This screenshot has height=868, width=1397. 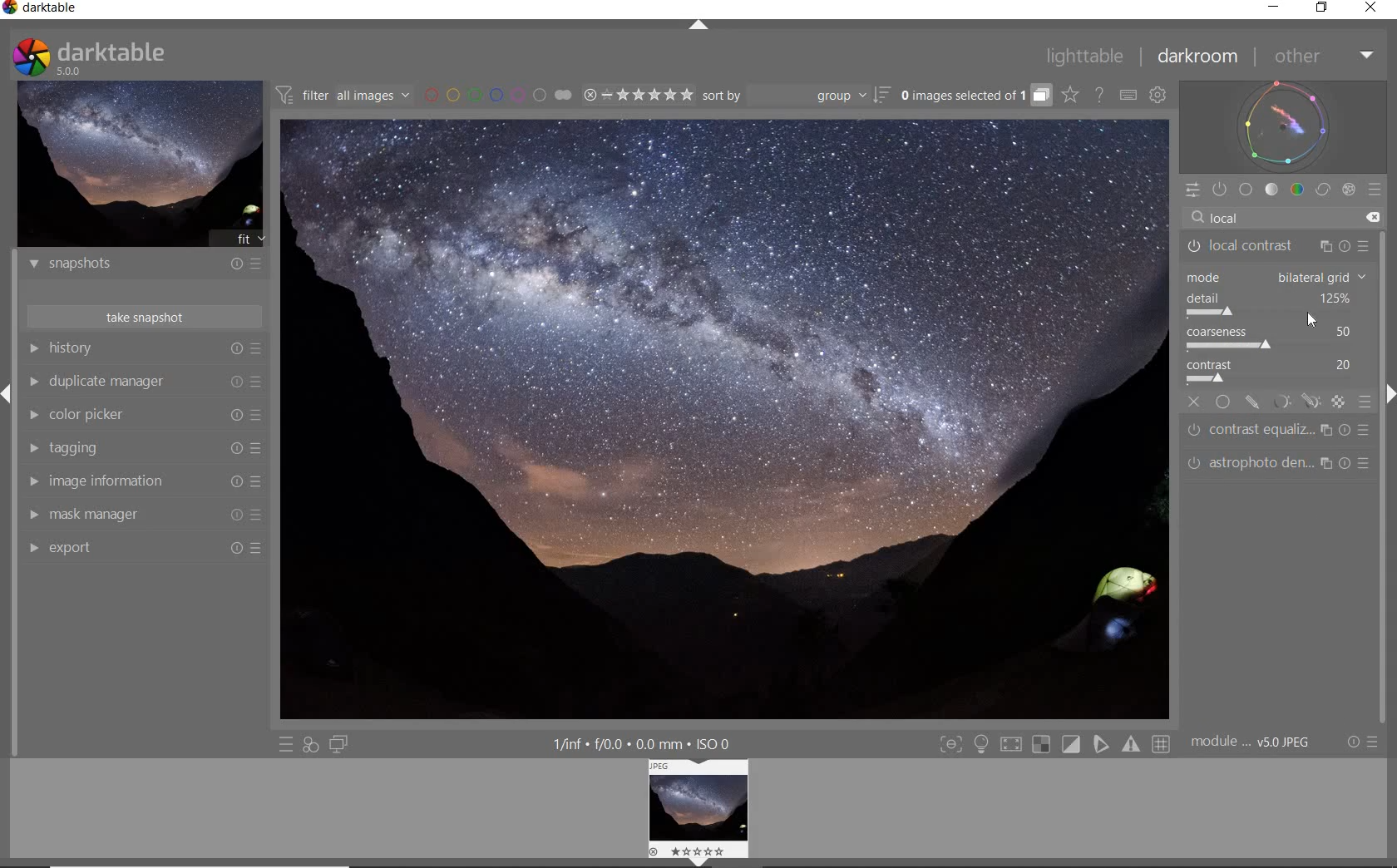 I want to click on IMAGE PREVIEW, so click(x=702, y=806).